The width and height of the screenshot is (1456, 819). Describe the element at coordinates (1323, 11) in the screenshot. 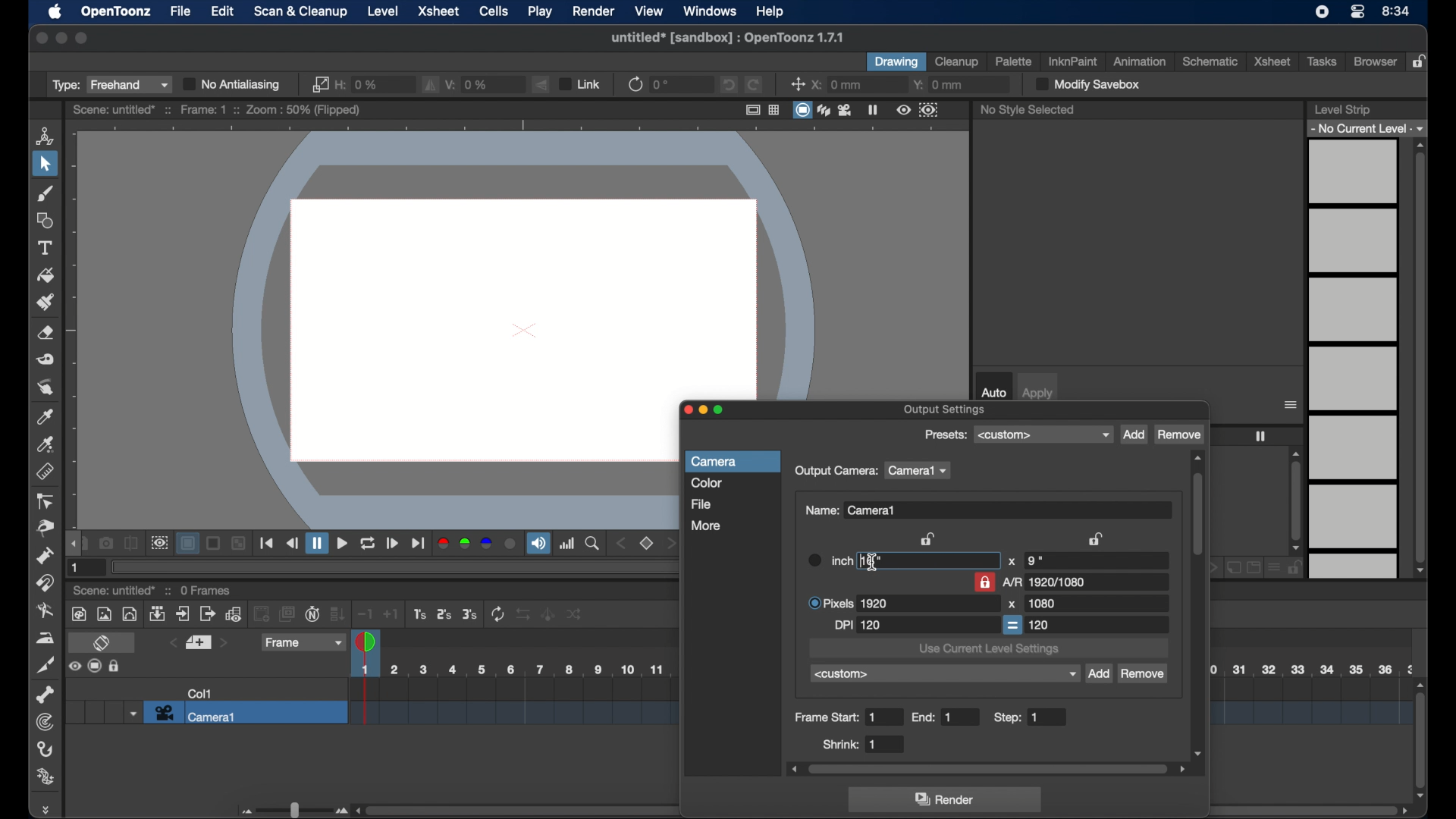

I see `screen recorder icon` at that location.